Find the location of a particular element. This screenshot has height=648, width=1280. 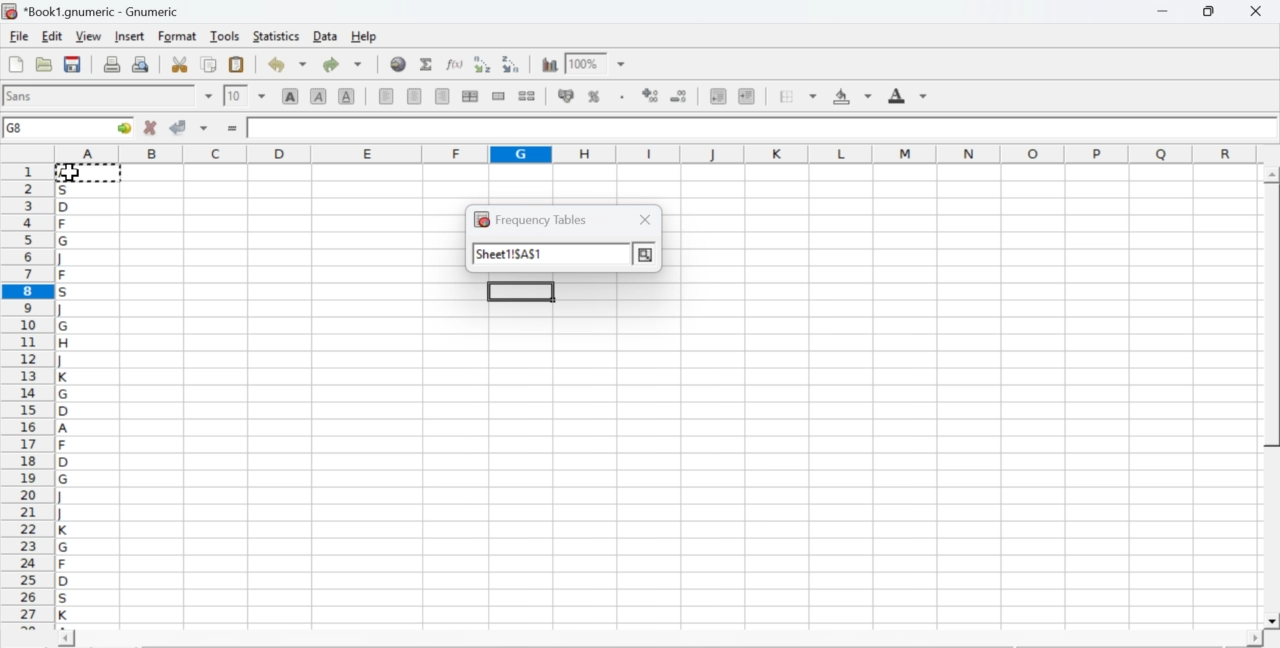

center horizontally is located at coordinates (415, 96).